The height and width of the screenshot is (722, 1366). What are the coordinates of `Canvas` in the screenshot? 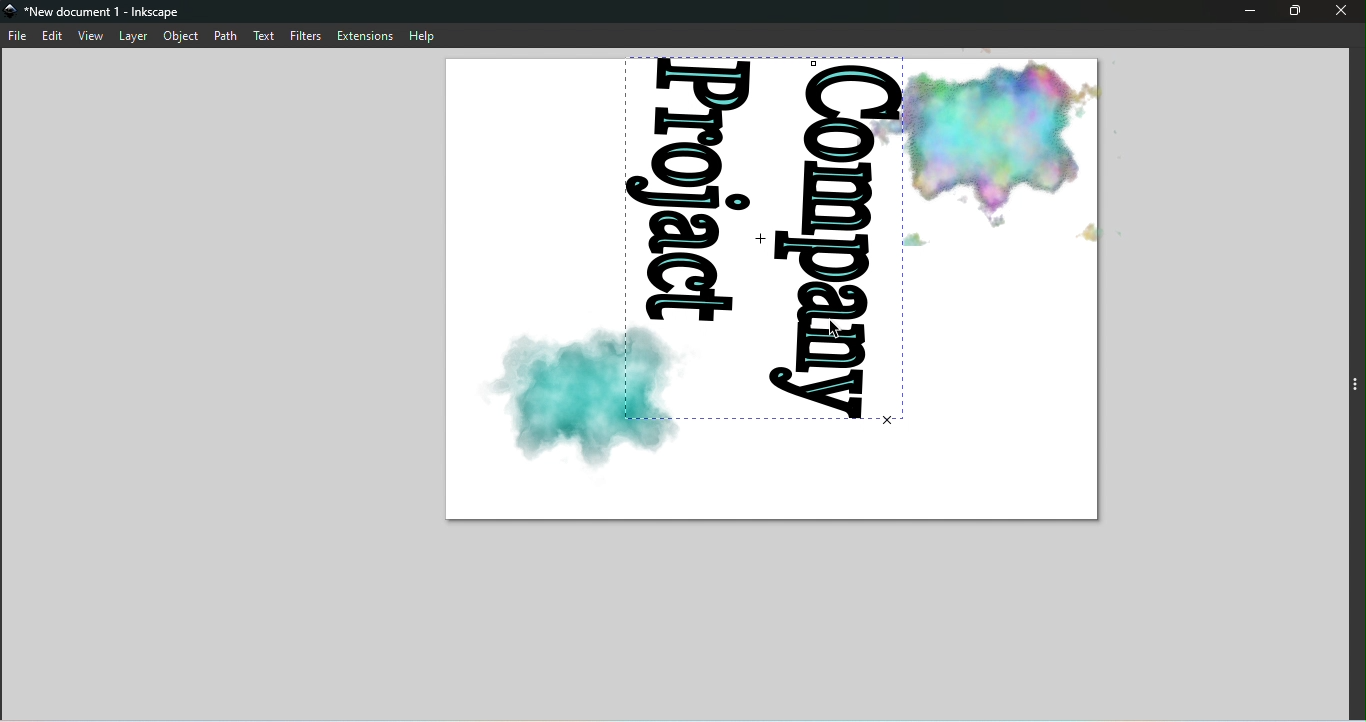 It's located at (780, 294).